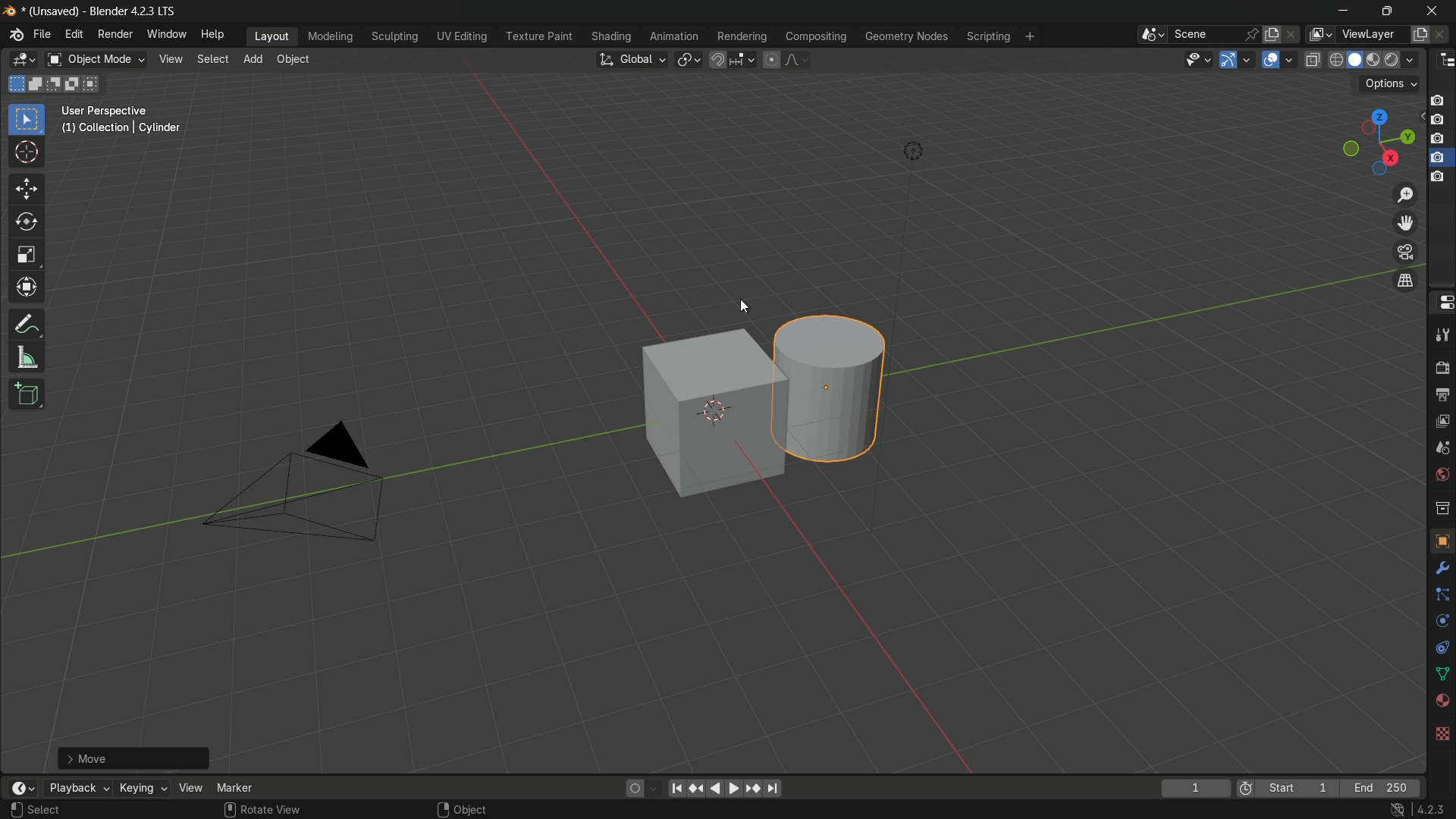  I want to click on view, so click(188, 787).